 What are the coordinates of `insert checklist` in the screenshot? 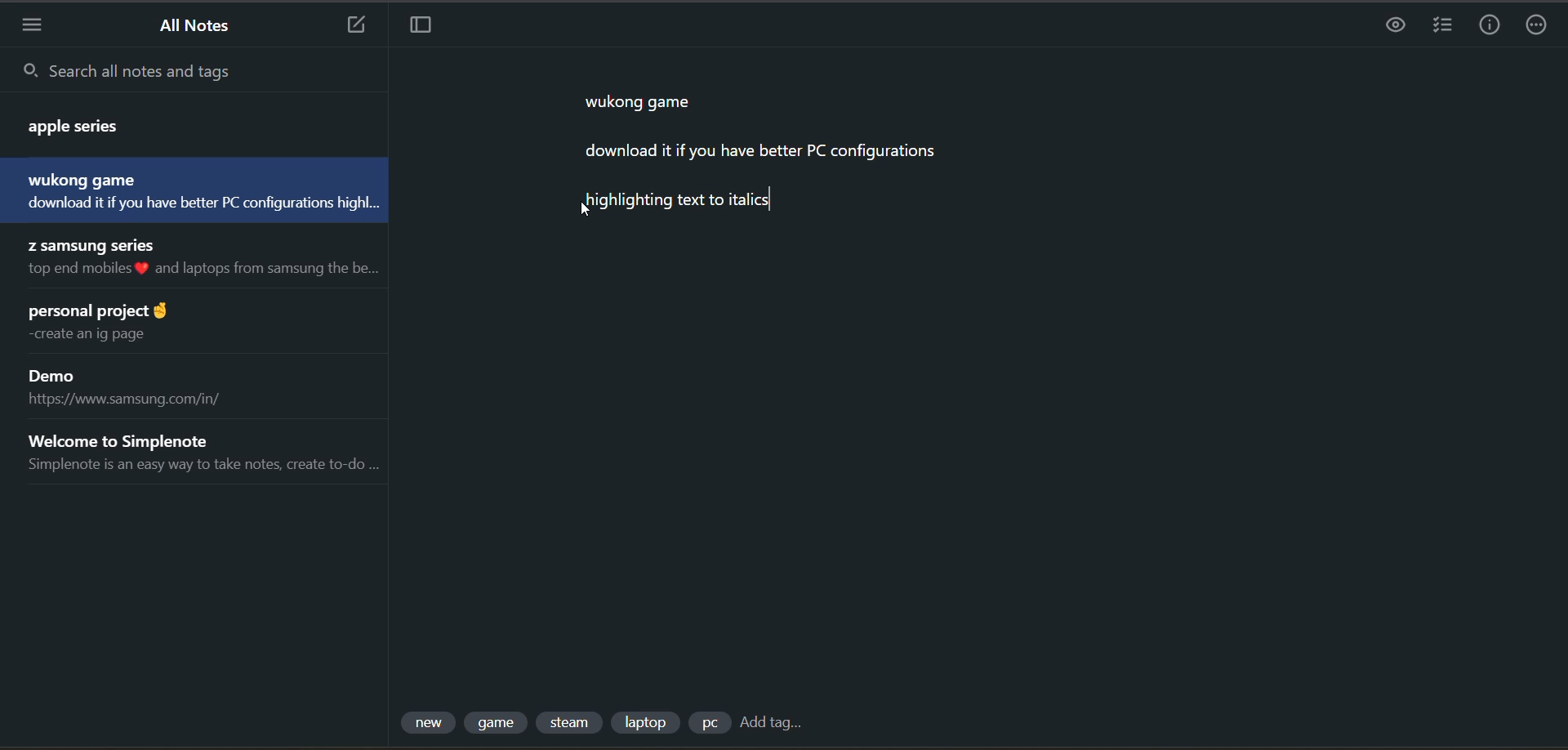 It's located at (1445, 26).